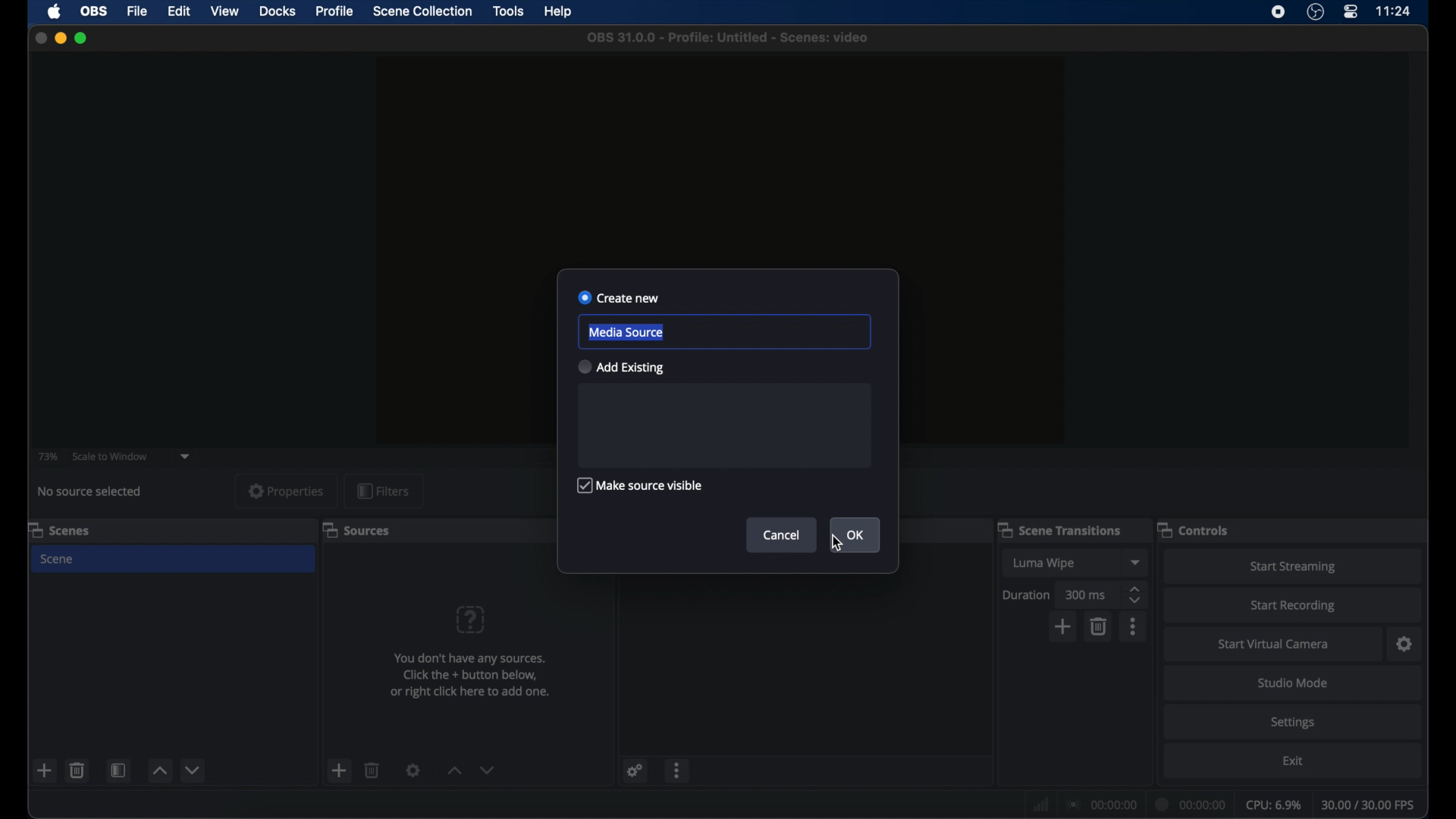 This screenshot has height=819, width=1456. Describe the element at coordinates (1293, 606) in the screenshot. I see `start recording` at that location.